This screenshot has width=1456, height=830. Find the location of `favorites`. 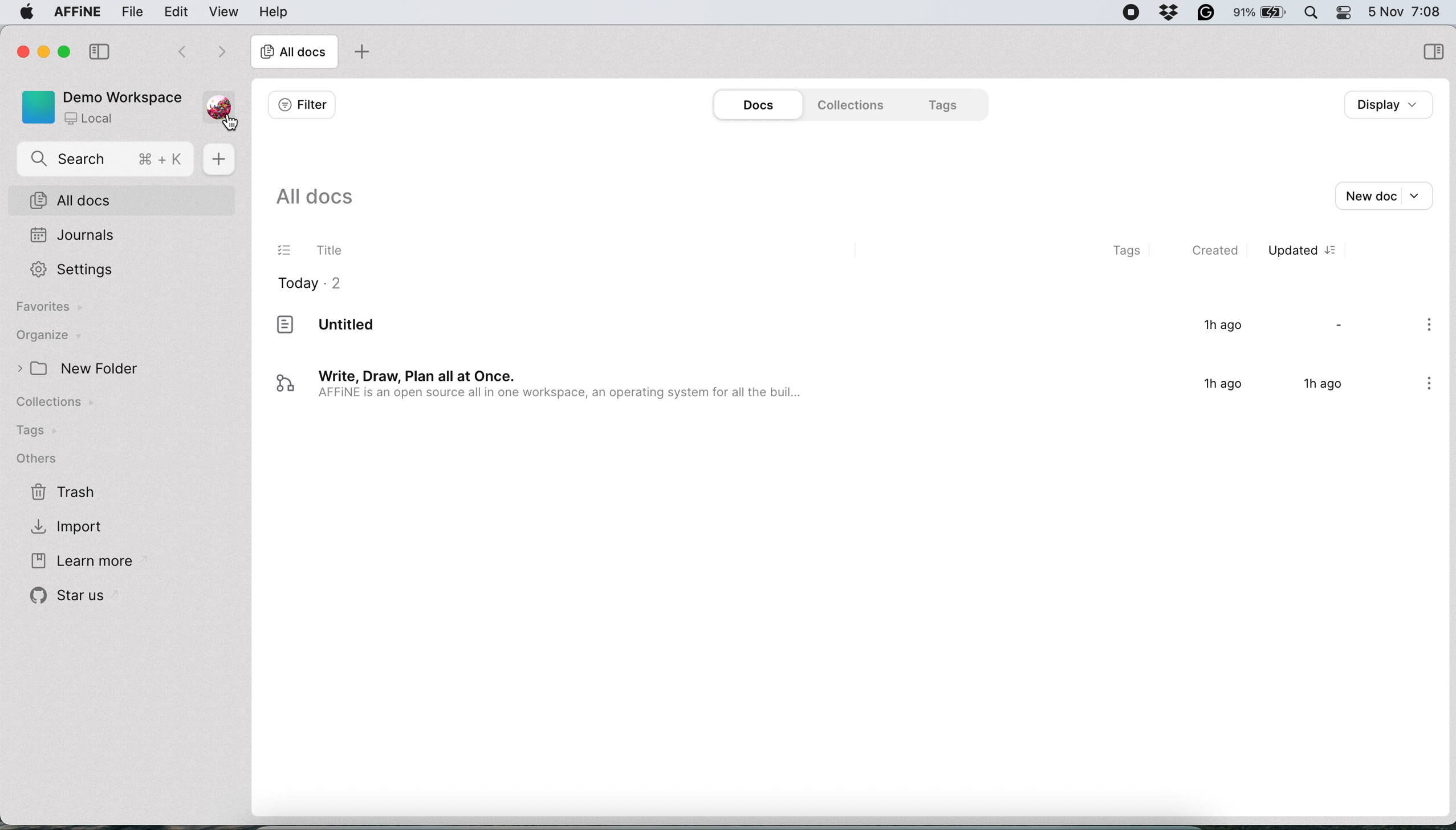

favorites is located at coordinates (48, 309).